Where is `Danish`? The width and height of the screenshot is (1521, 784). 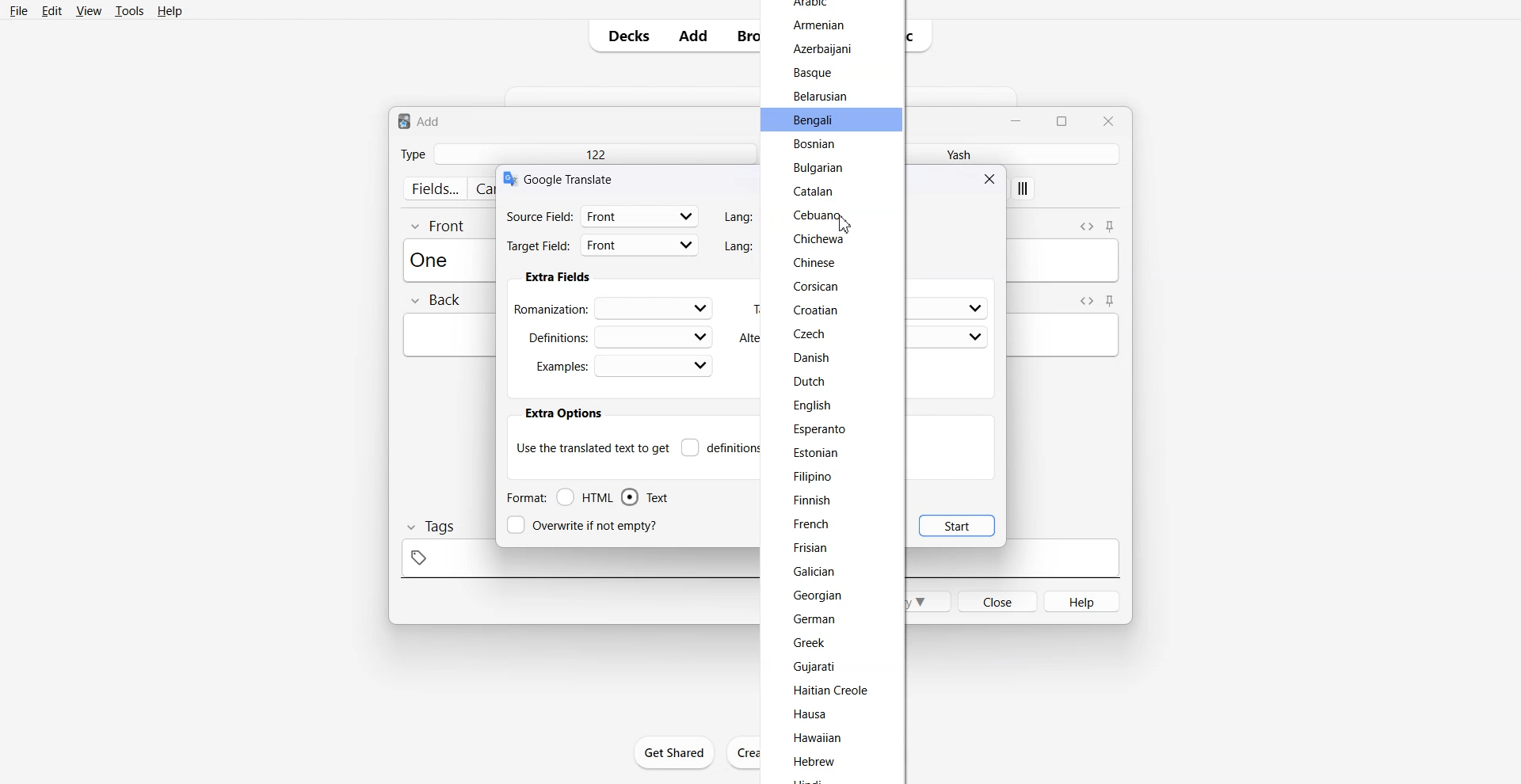 Danish is located at coordinates (810, 357).